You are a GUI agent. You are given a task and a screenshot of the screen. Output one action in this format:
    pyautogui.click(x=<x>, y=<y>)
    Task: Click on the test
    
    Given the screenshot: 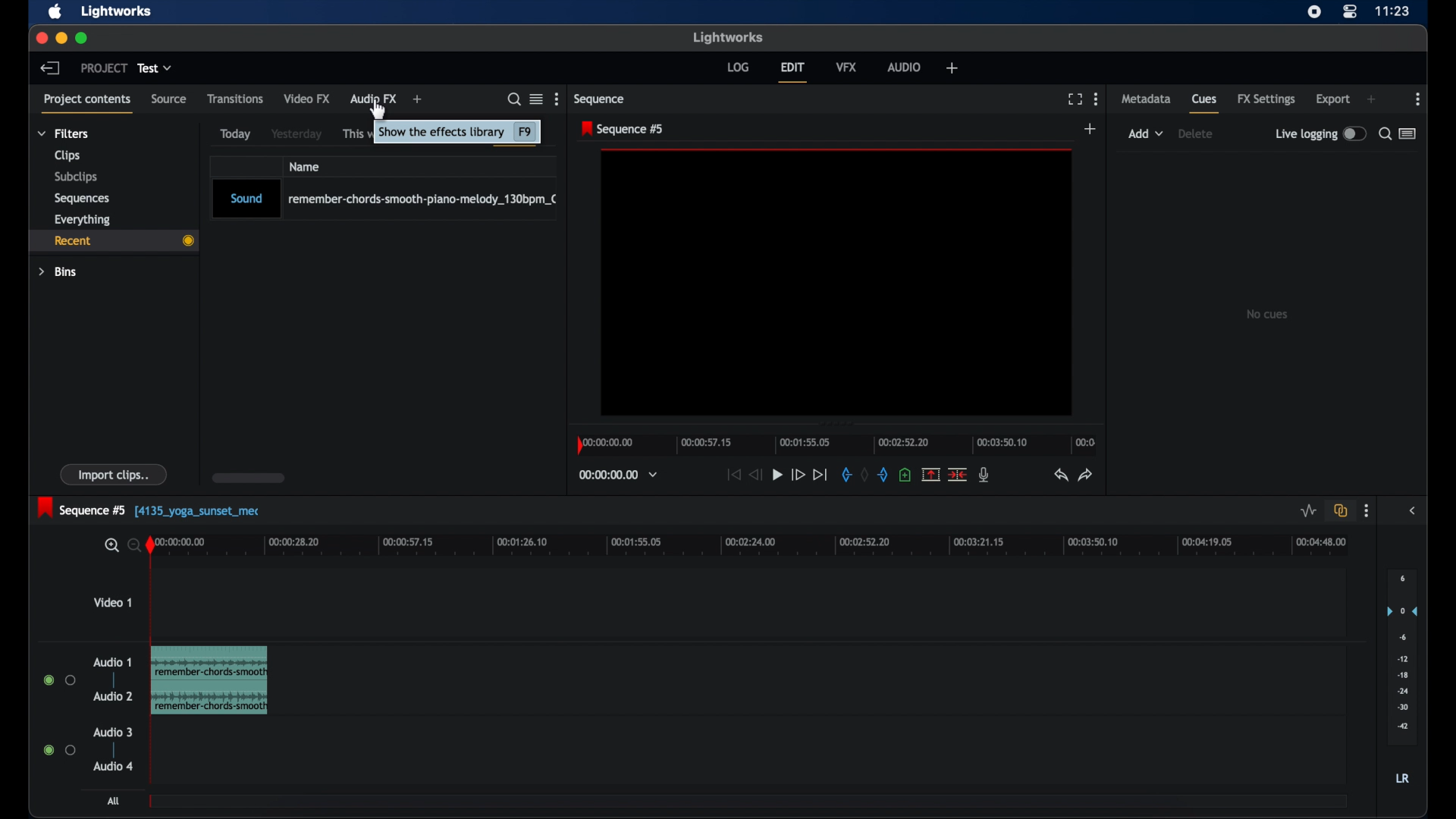 What is the action you would take?
    pyautogui.click(x=155, y=68)
    